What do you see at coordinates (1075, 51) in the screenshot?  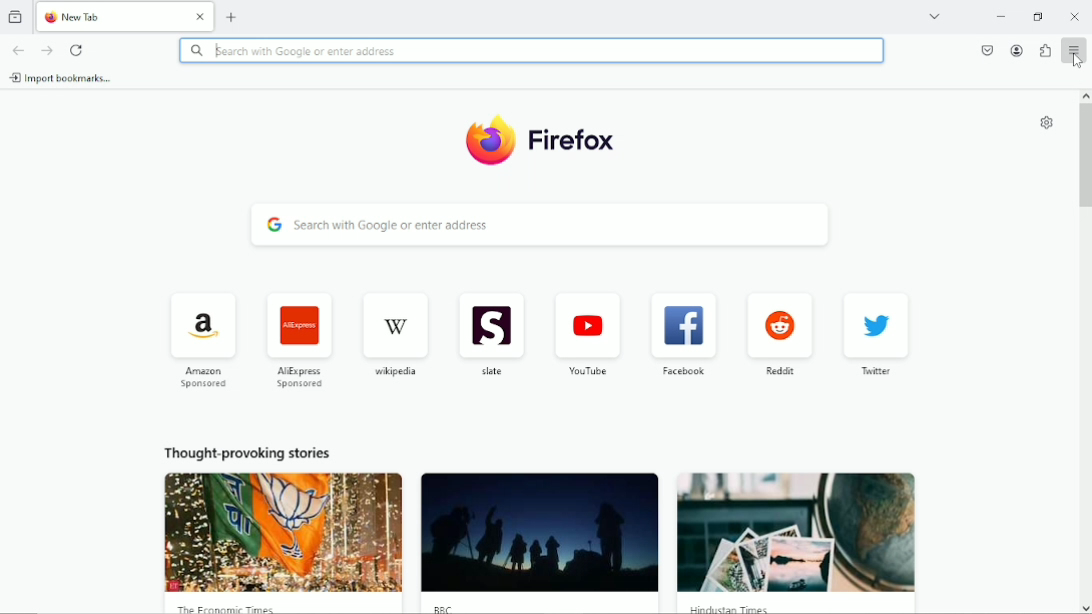 I see `Open application menu` at bounding box center [1075, 51].